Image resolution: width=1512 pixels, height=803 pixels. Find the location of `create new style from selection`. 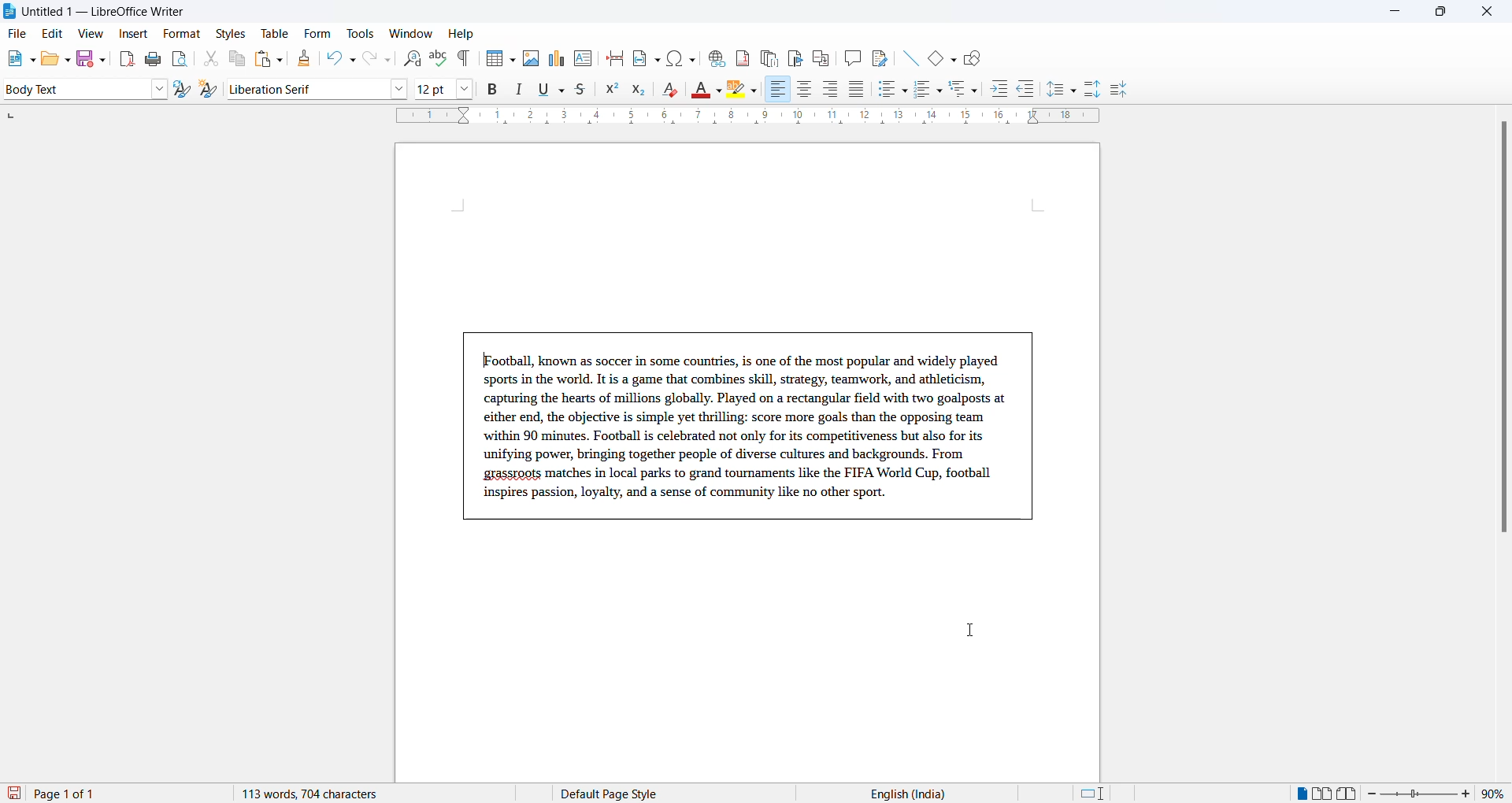

create new style from selection is located at coordinates (212, 91).